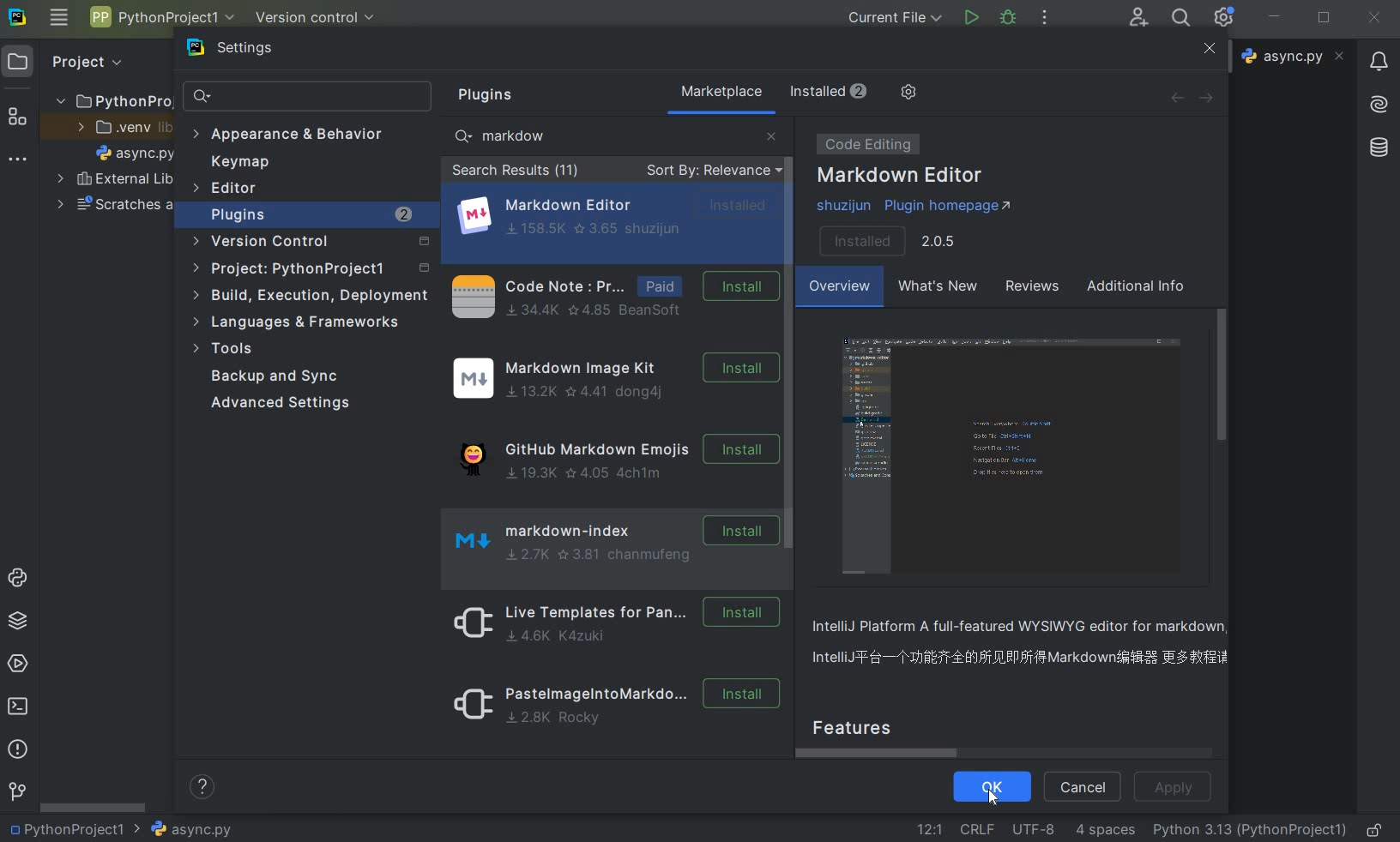 The height and width of the screenshot is (842, 1400). What do you see at coordinates (1182, 17) in the screenshot?
I see `search everywhere` at bounding box center [1182, 17].